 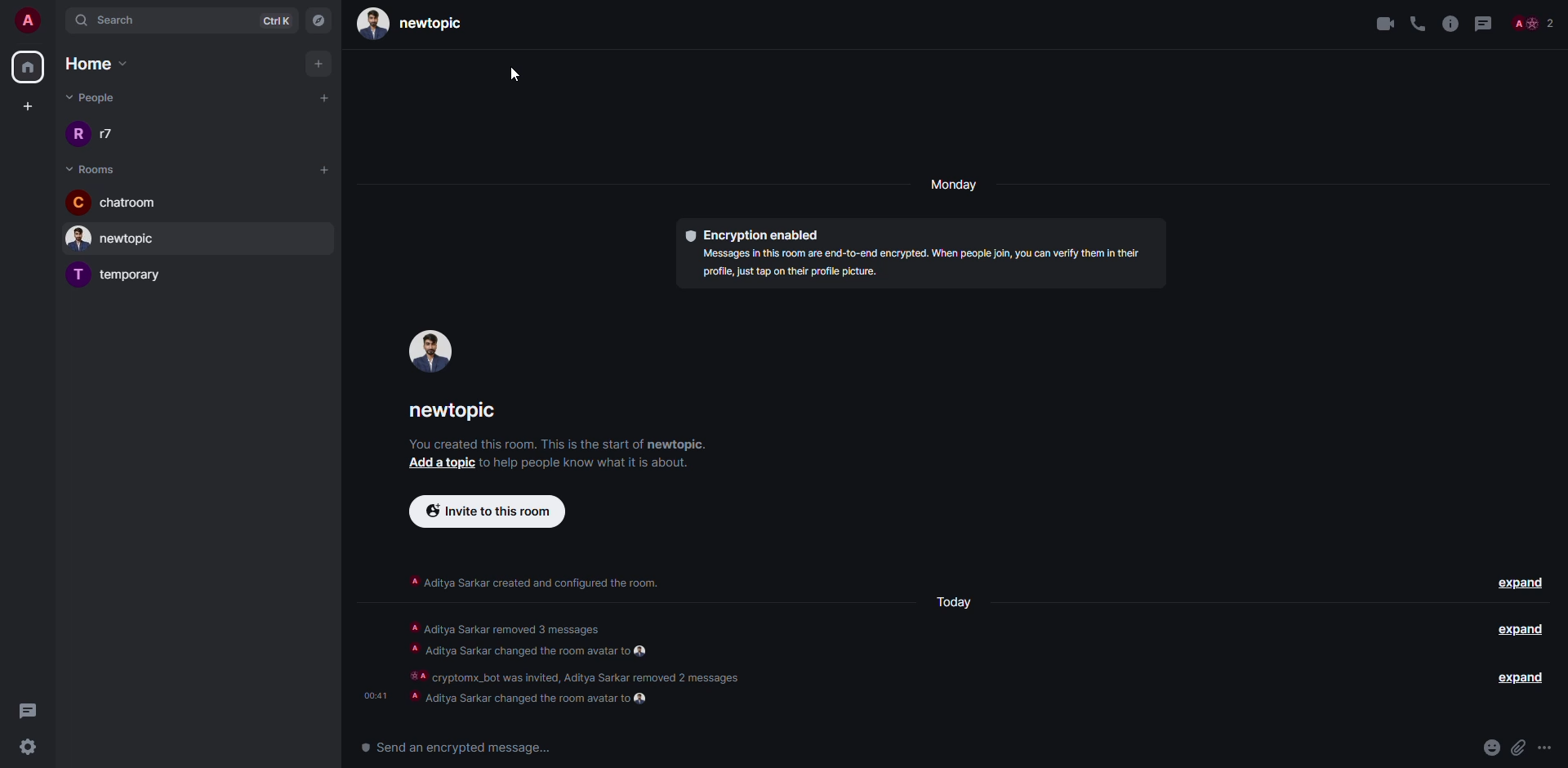 I want to click on home, so click(x=106, y=64).